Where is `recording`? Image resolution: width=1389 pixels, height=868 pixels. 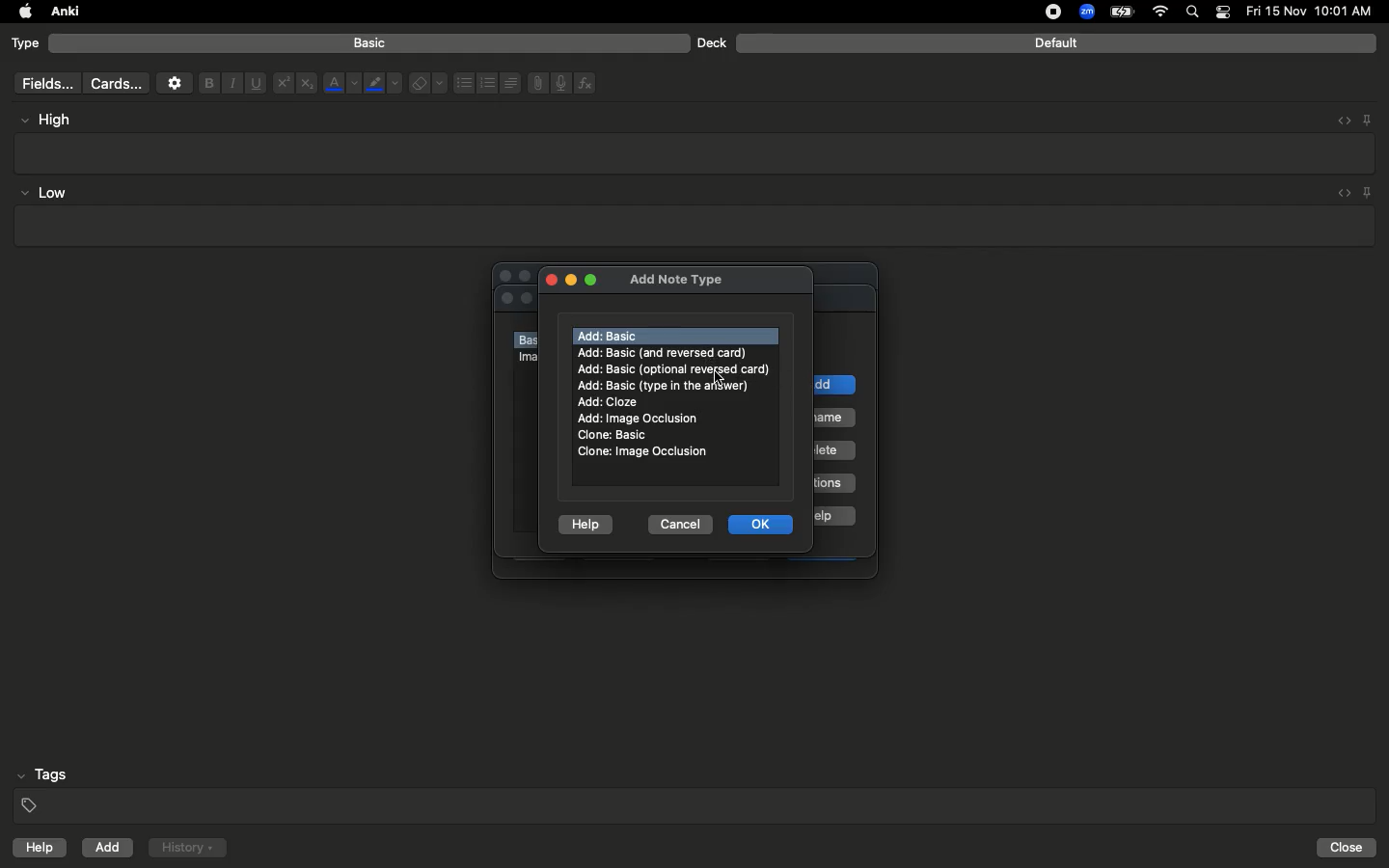
recording is located at coordinates (1042, 12).